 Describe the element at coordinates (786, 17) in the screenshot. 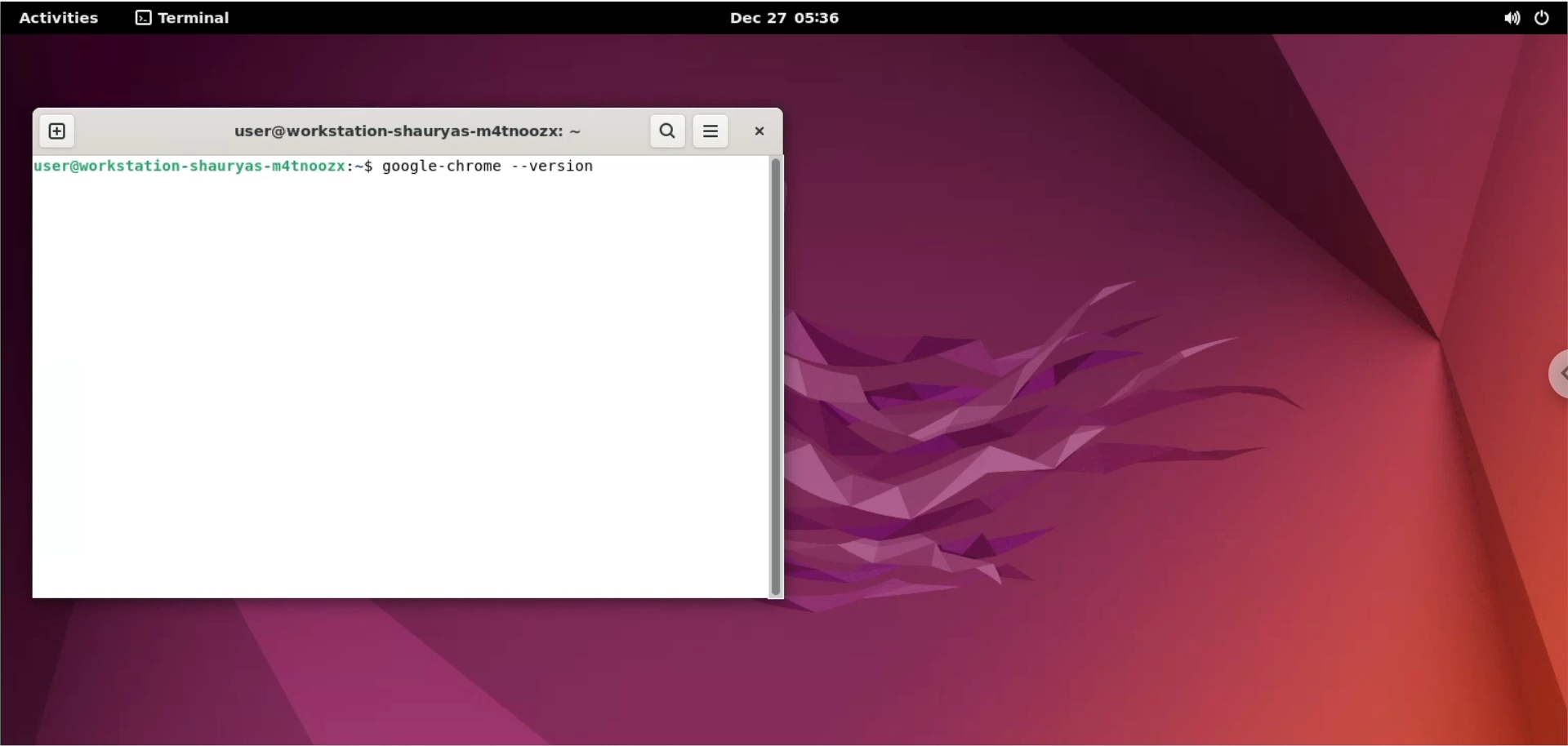

I see `Dec 27 05:36` at that location.